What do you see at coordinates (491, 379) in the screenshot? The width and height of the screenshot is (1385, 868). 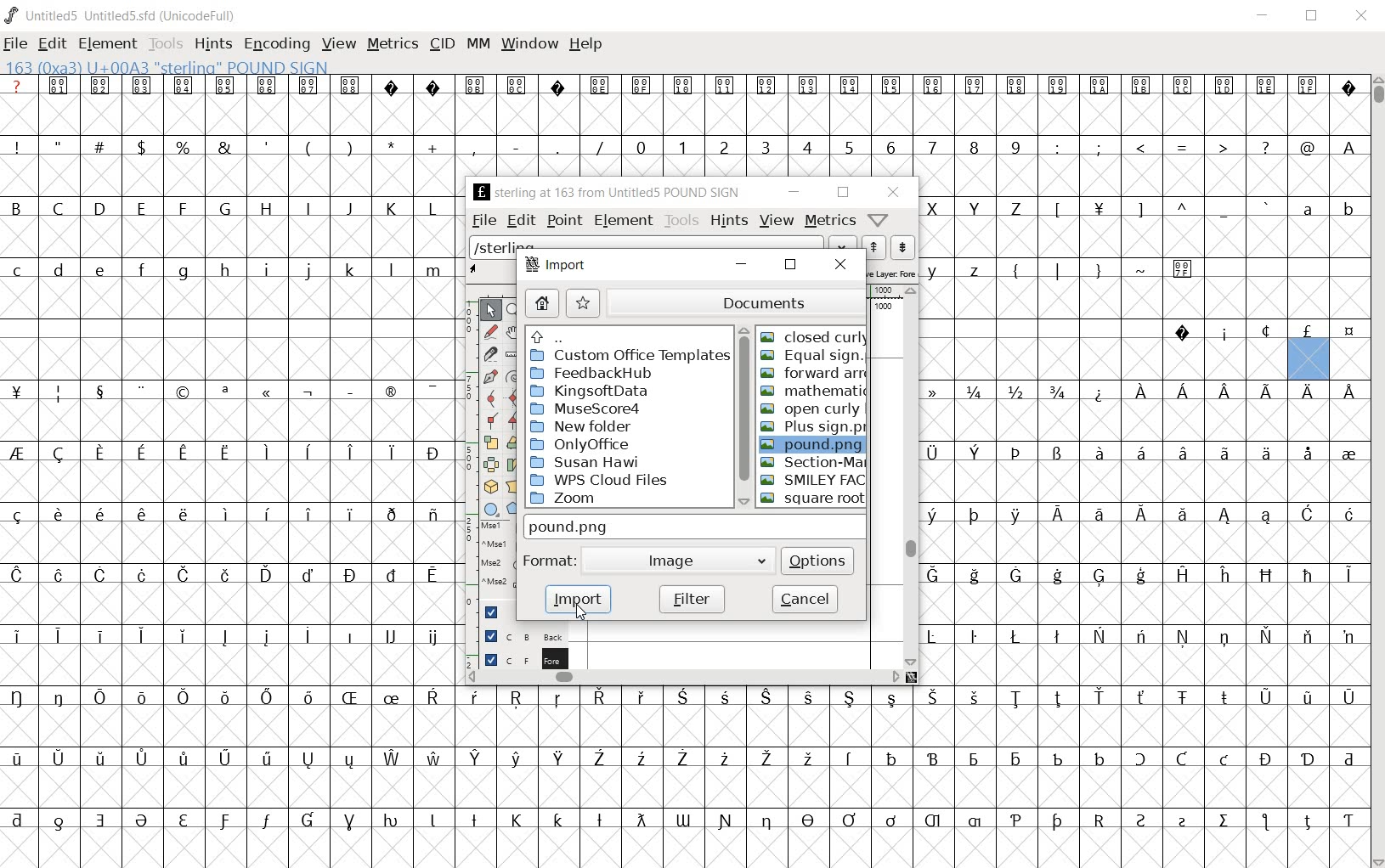 I see `pen` at bounding box center [491, 379].